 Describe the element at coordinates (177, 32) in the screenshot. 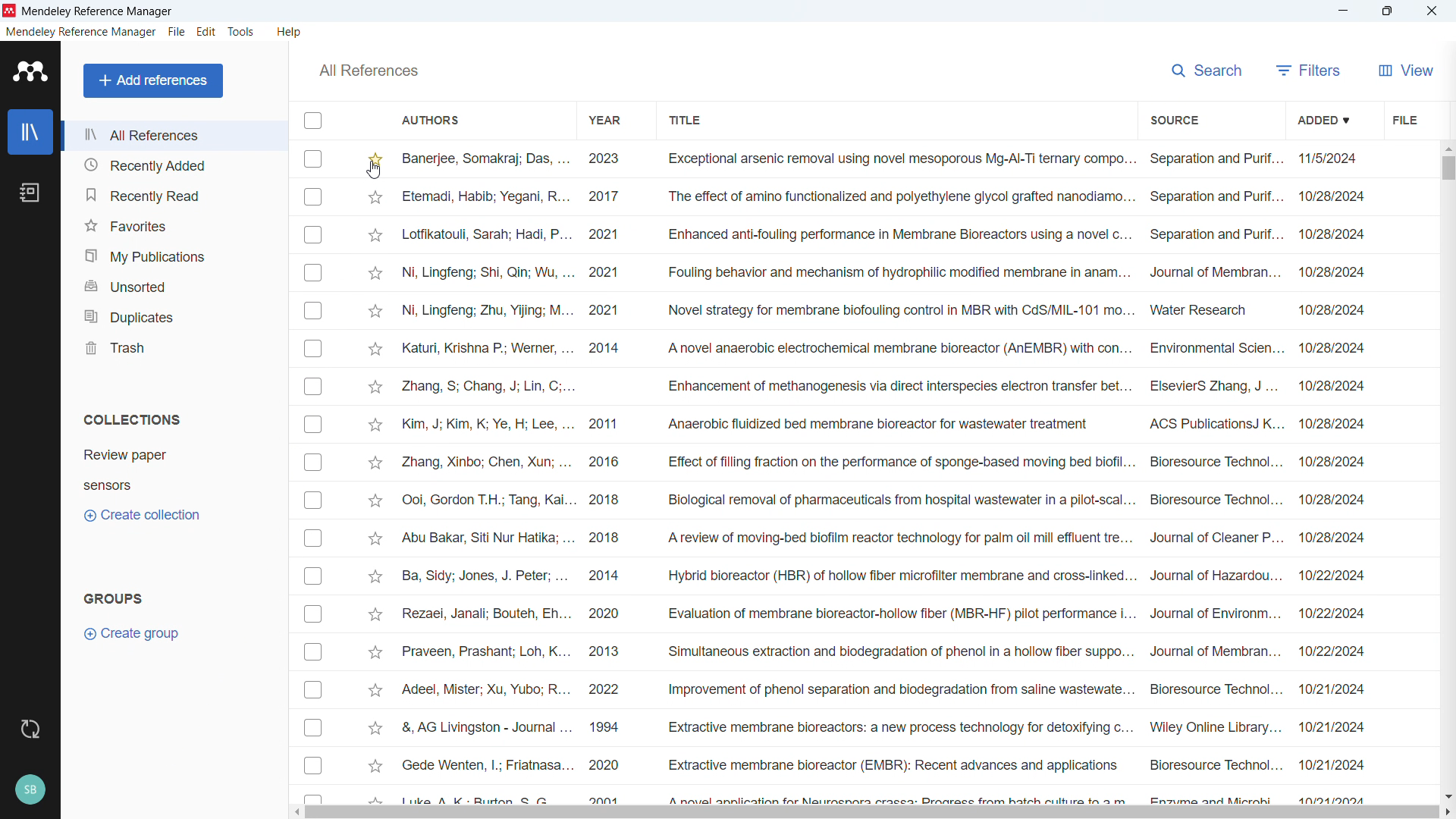

I see `file` at that location.